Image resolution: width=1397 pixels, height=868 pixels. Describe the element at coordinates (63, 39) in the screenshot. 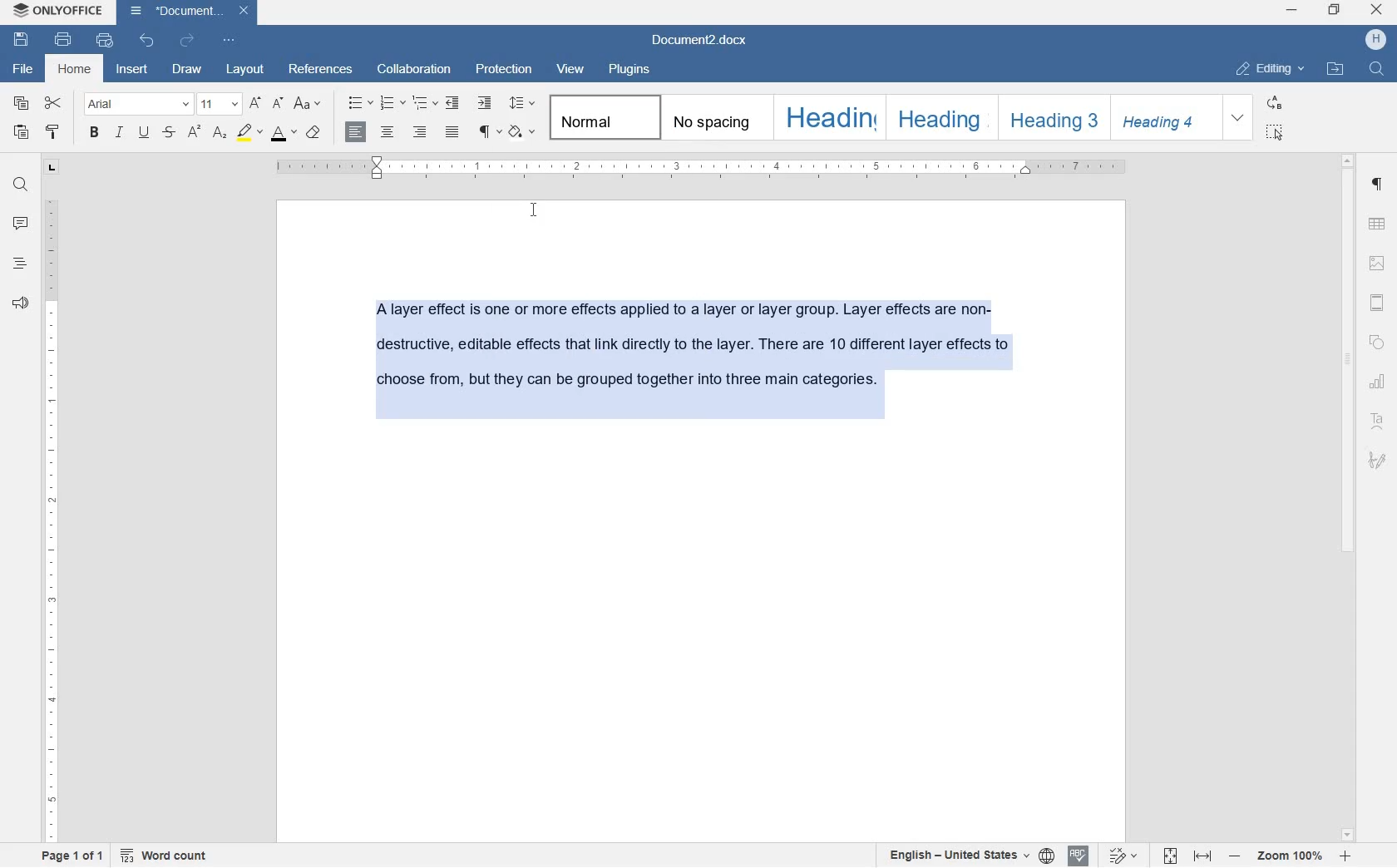

I see `print` at that location.